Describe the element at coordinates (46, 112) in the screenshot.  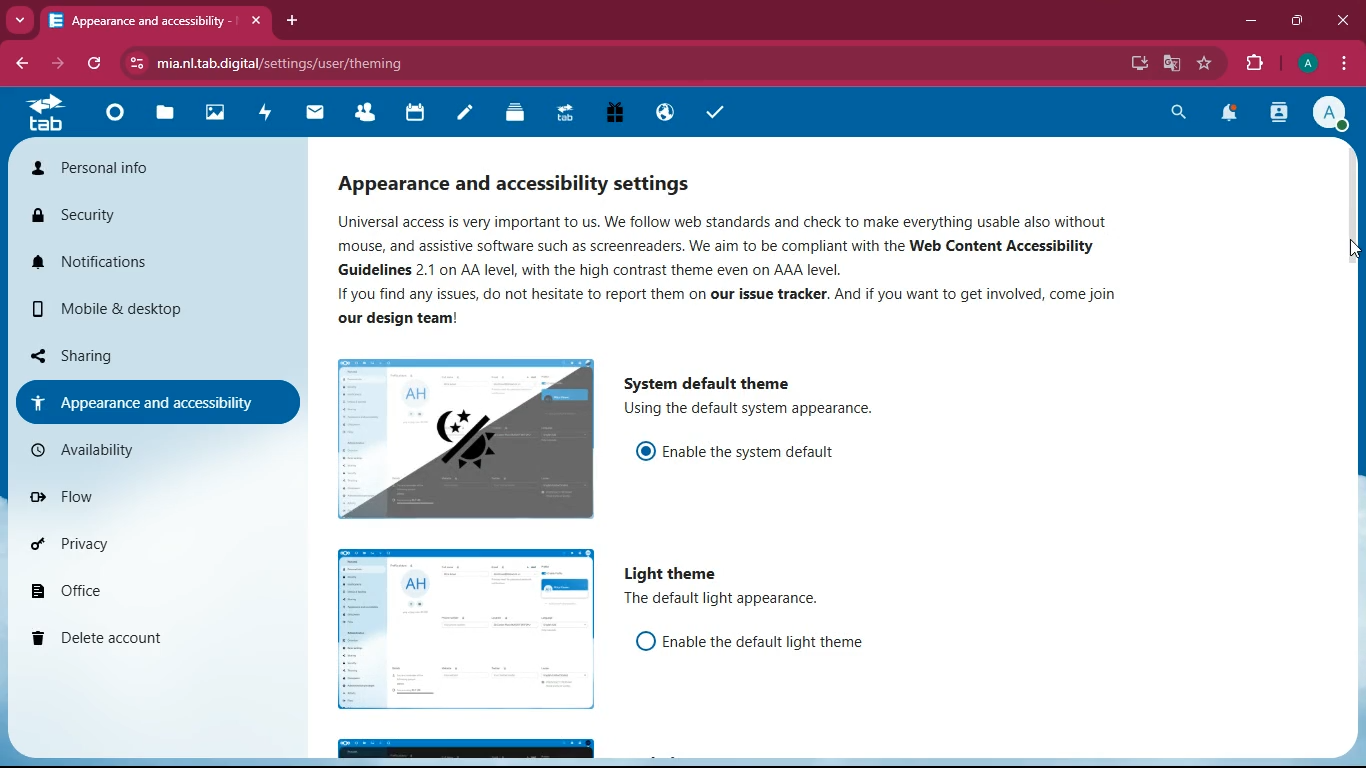
I see `tab` at that location.